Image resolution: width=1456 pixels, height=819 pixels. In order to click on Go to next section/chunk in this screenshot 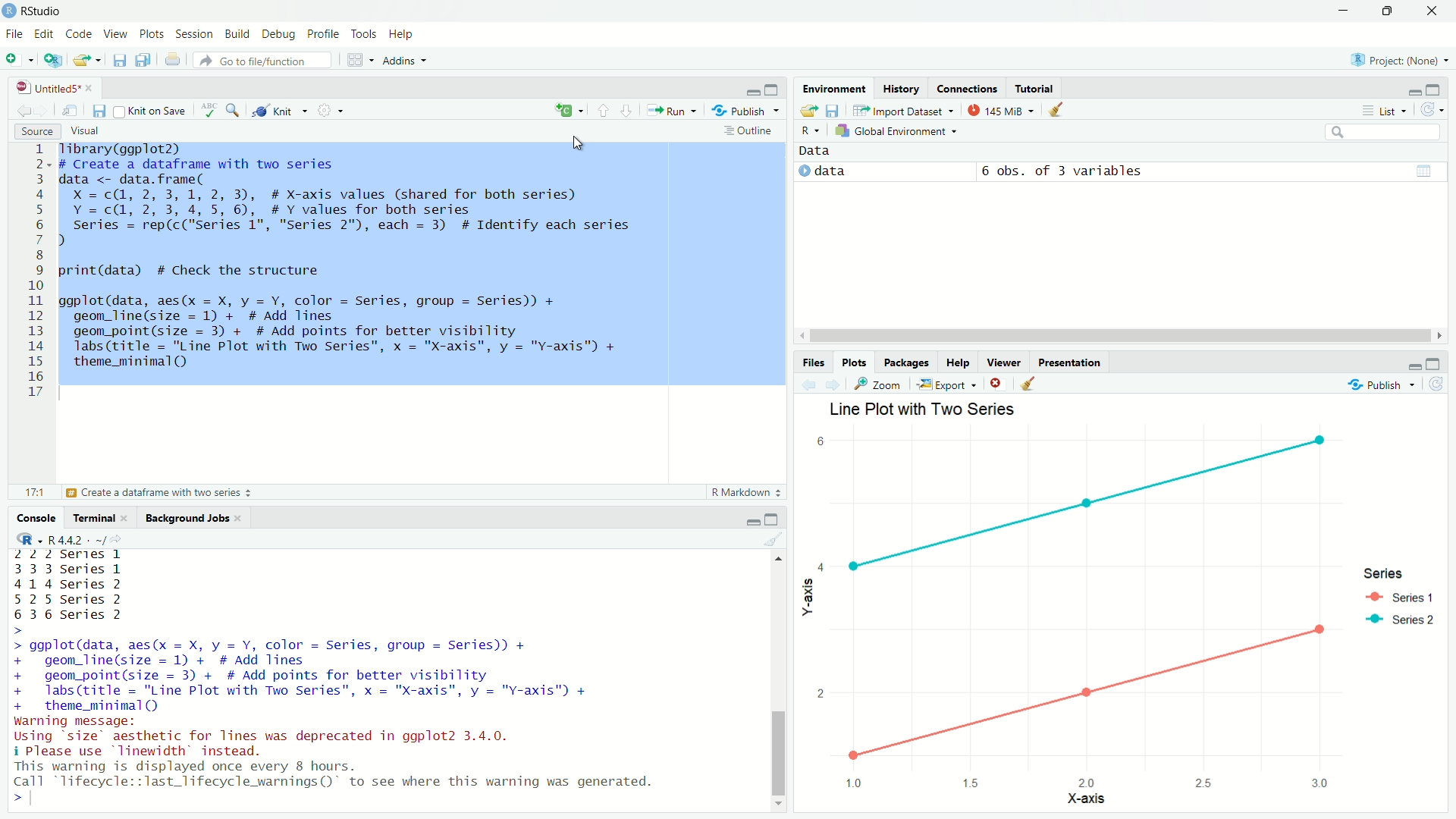, I will do `click(629, 112)`.